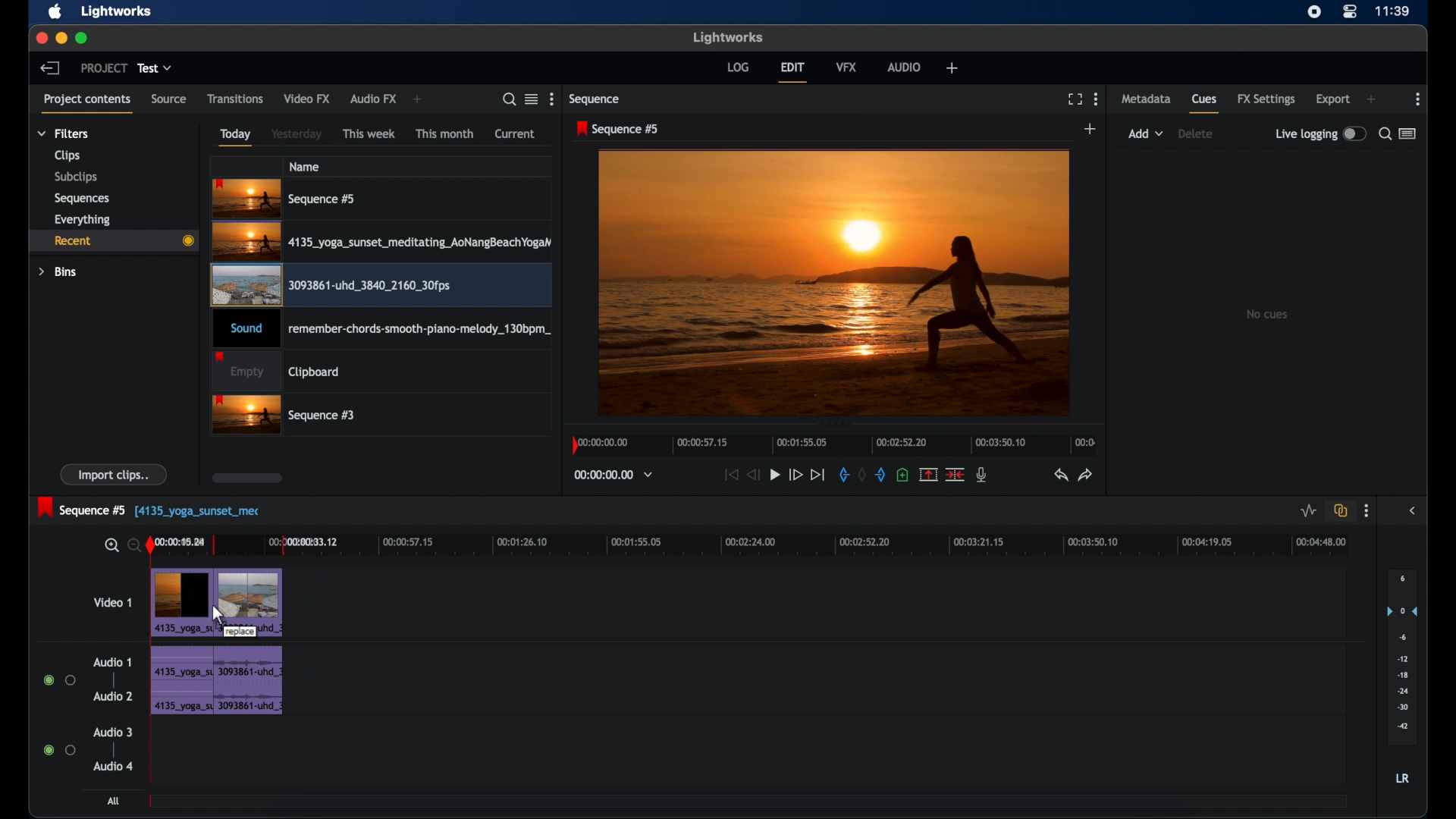 The height and width of the screenshot is (819, 1456). Describe the element at coordinates (754, 474) in the screenshot. I see `rewind` at that location.